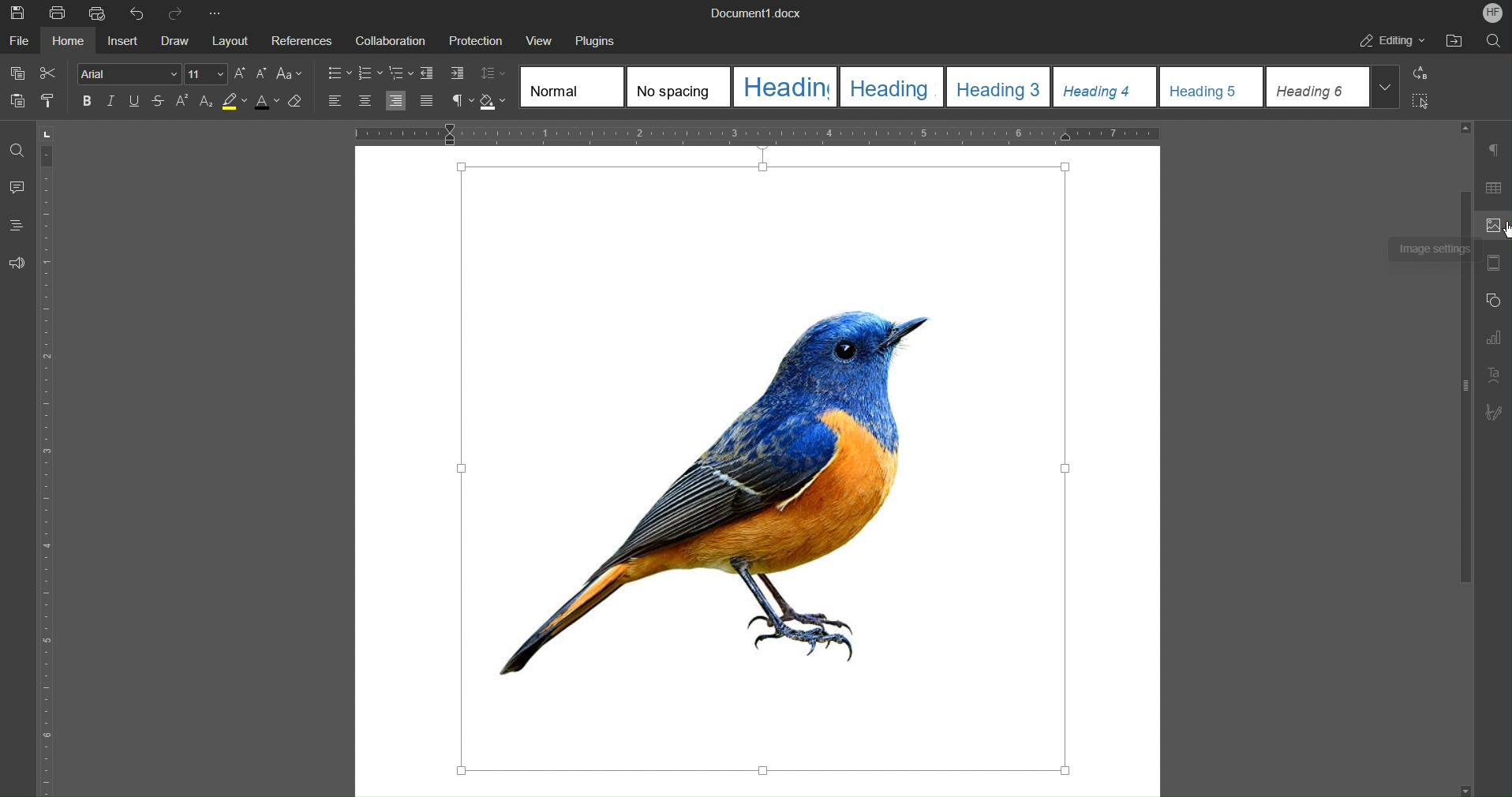 The image size is (1512, 797). Describe the element at coordinates (177, 13) in the screenshot. I see `Redo` at that location.